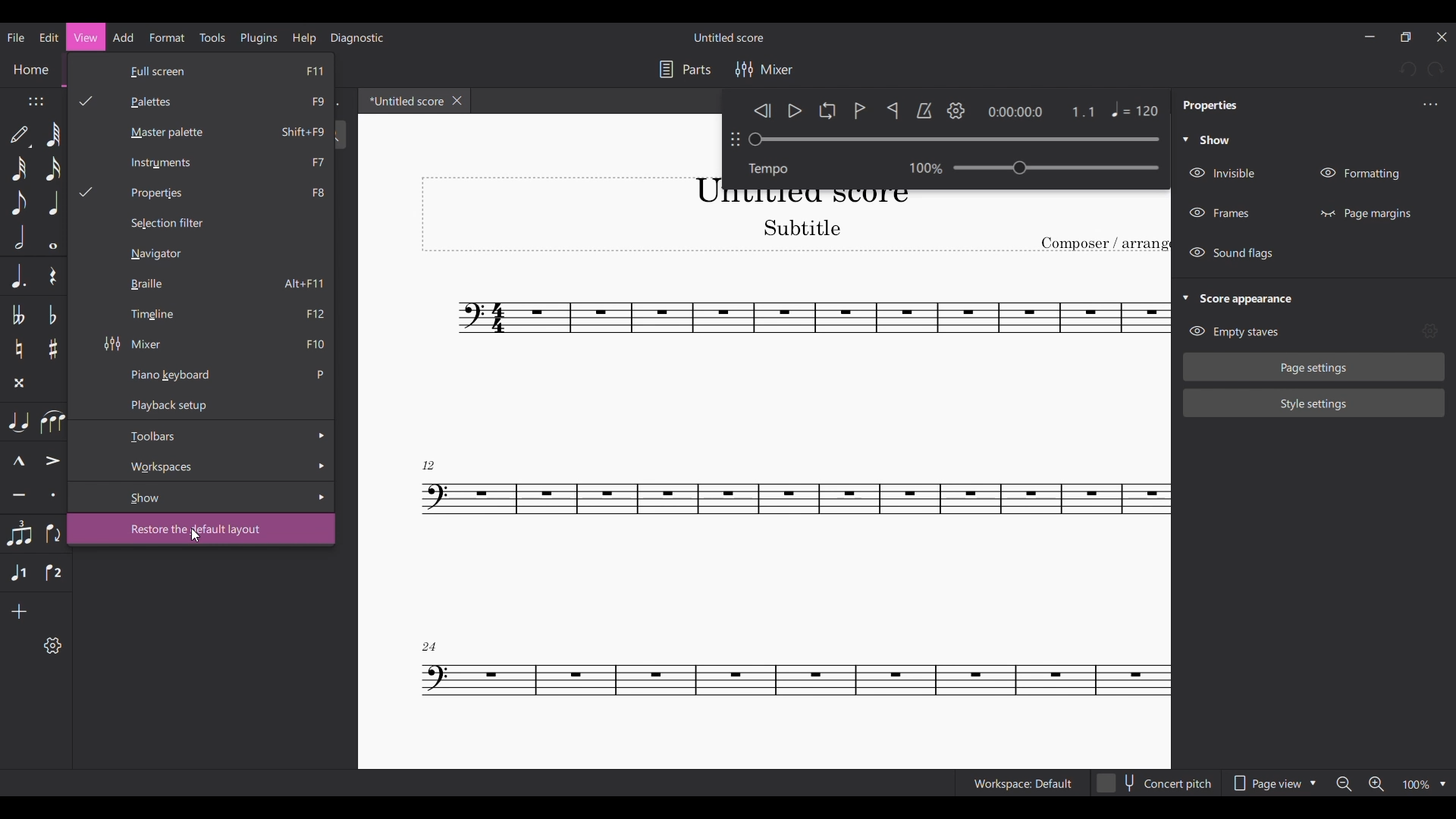  I want to click on Home, so click(31, 72).